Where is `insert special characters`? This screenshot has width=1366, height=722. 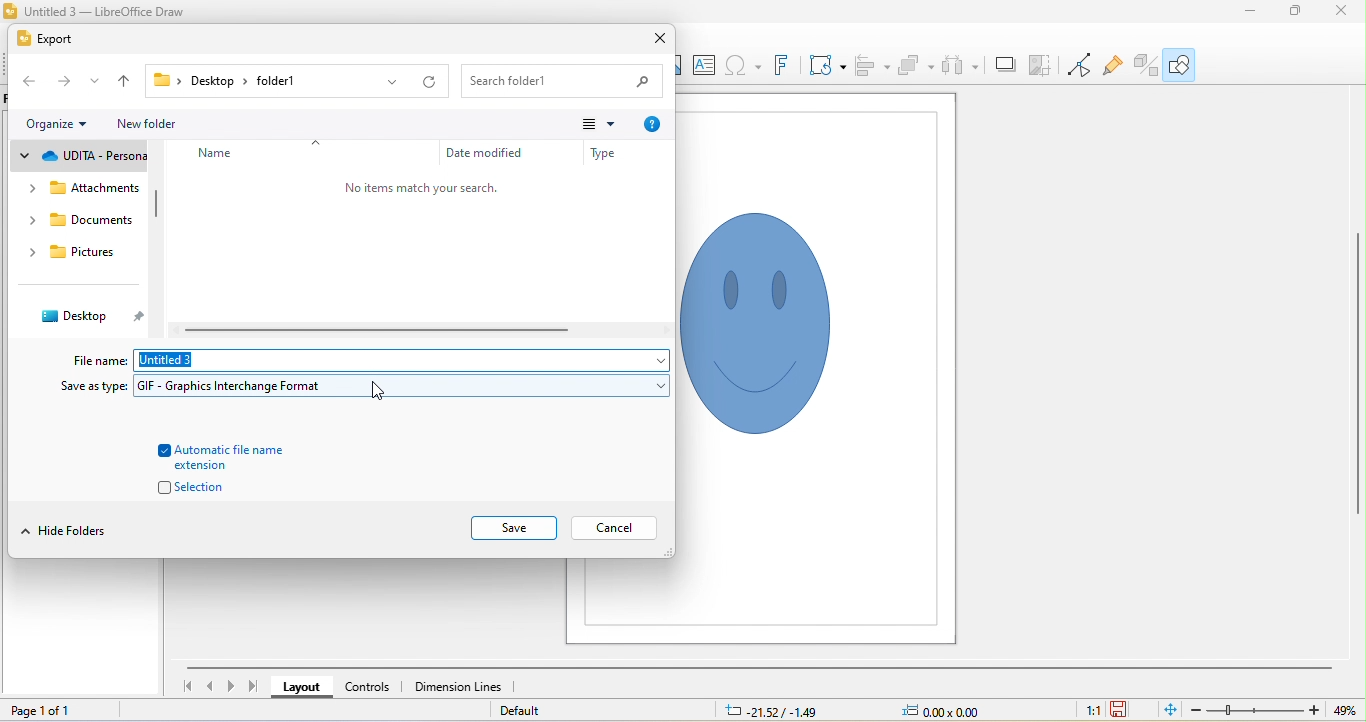
insert special characters is located at coordinates (744, 66).